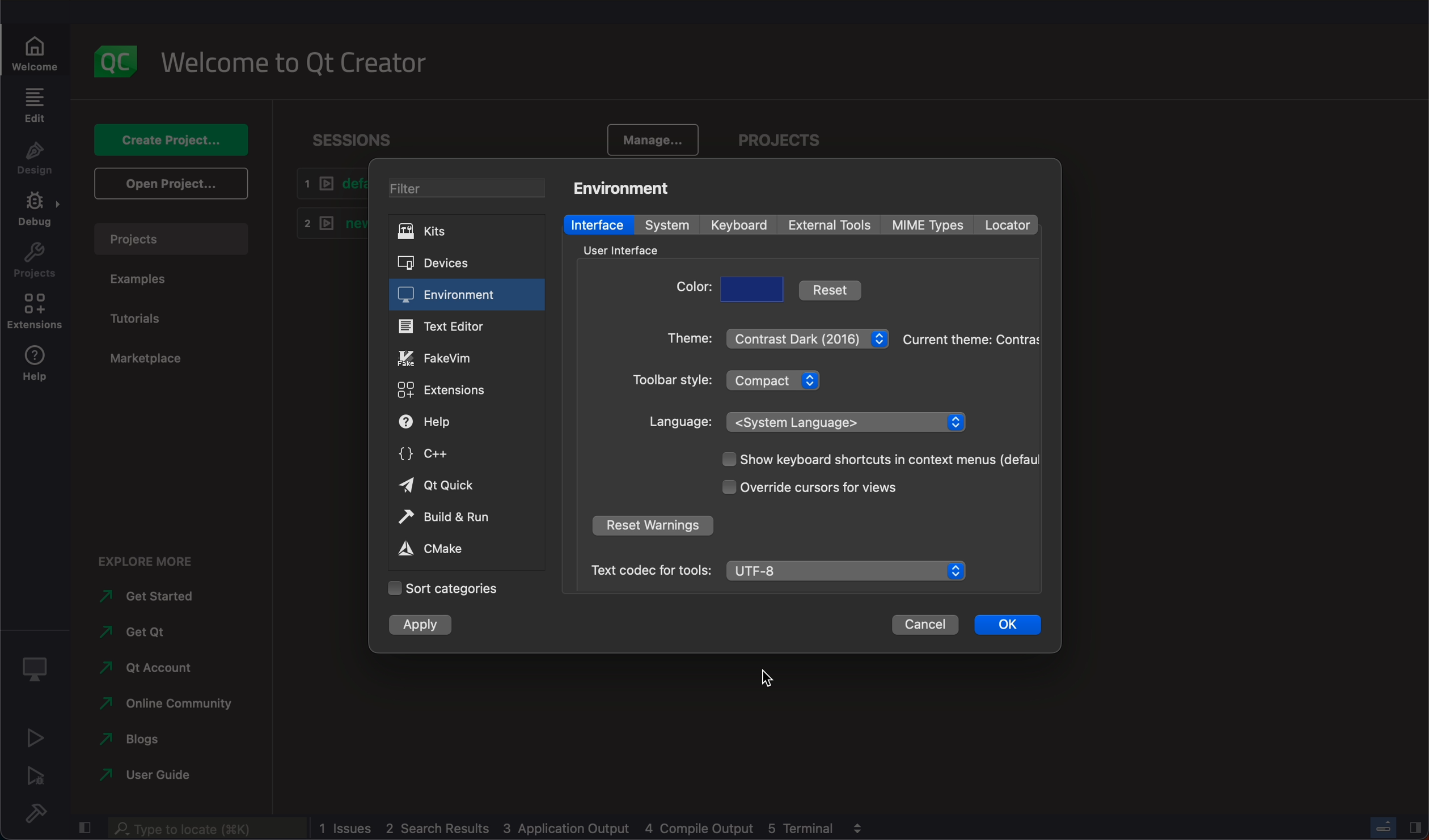  What do you see at coordinates (443, 589) in the screenshot?
I see `categories` at bounding box center [443, 589].